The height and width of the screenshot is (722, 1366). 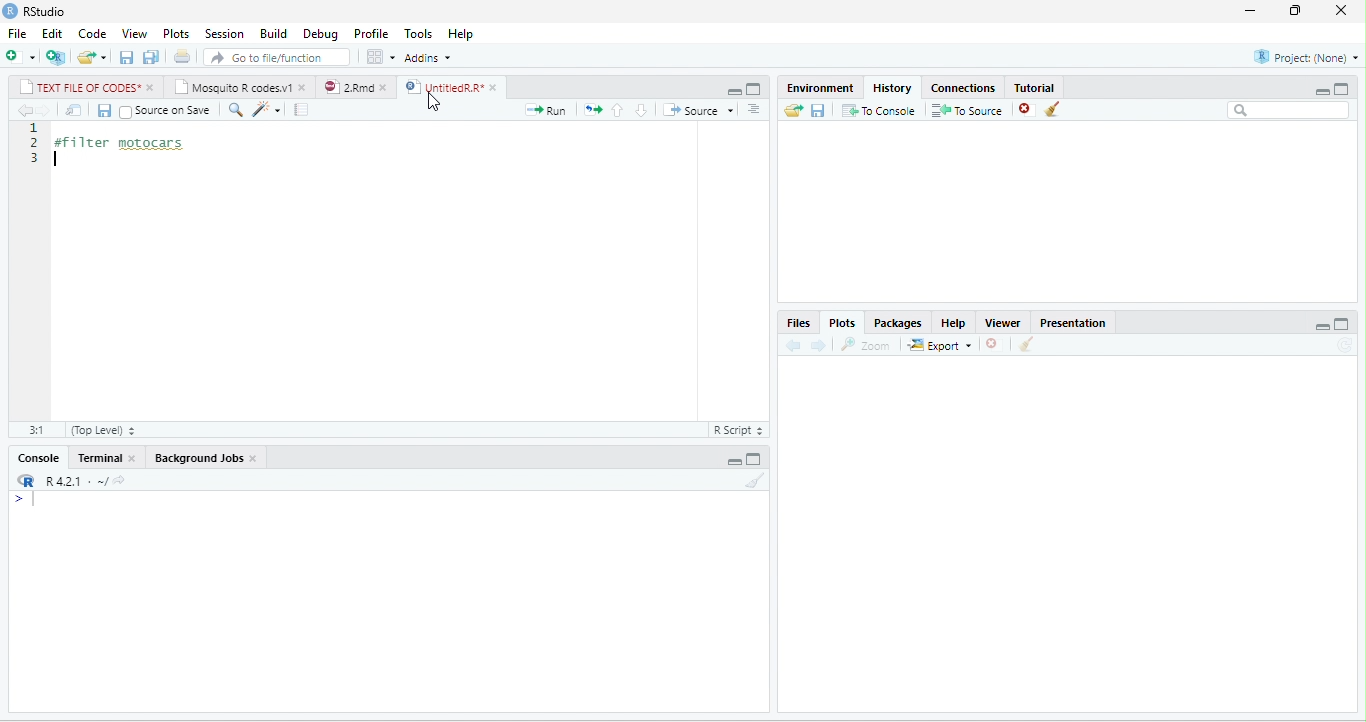 What do you see at coordinates (734, 91) in the screenshot?
I see `minimize` at bounding box center [734, 91].